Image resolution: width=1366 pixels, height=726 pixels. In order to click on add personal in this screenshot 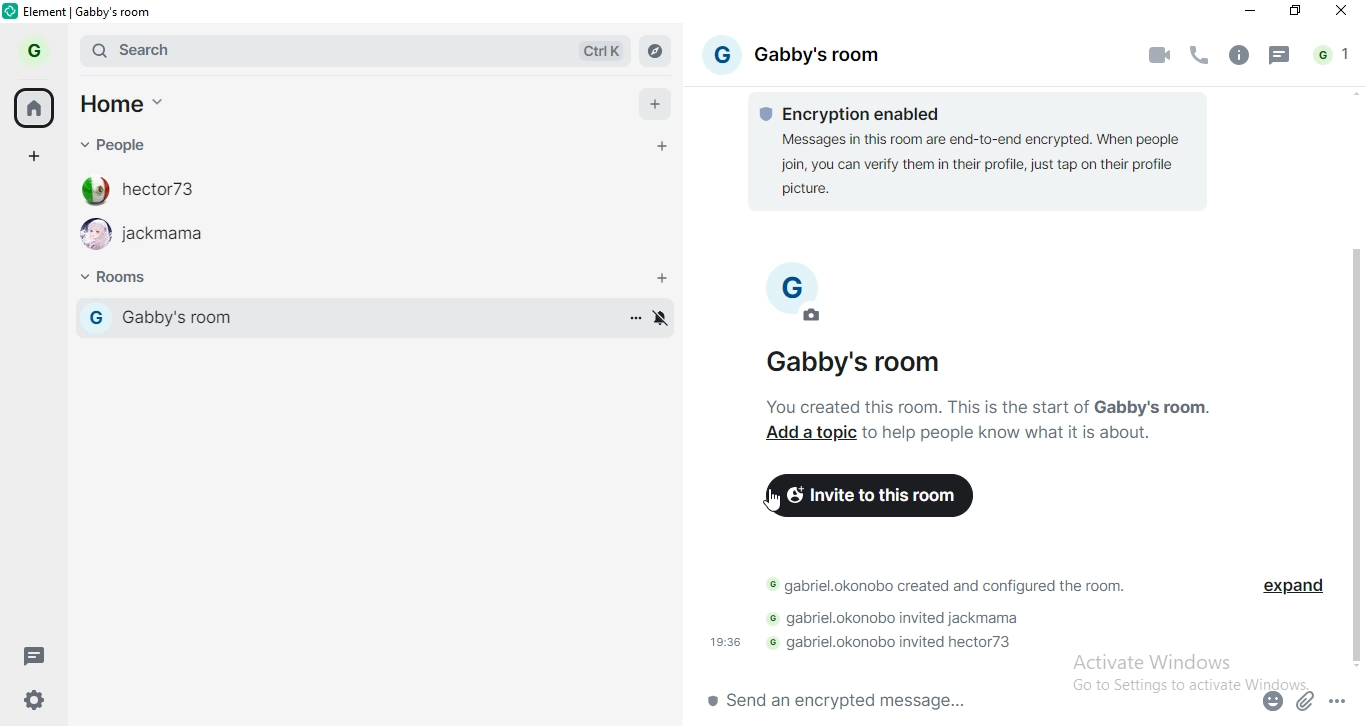, I will do `click(667, 150)`.